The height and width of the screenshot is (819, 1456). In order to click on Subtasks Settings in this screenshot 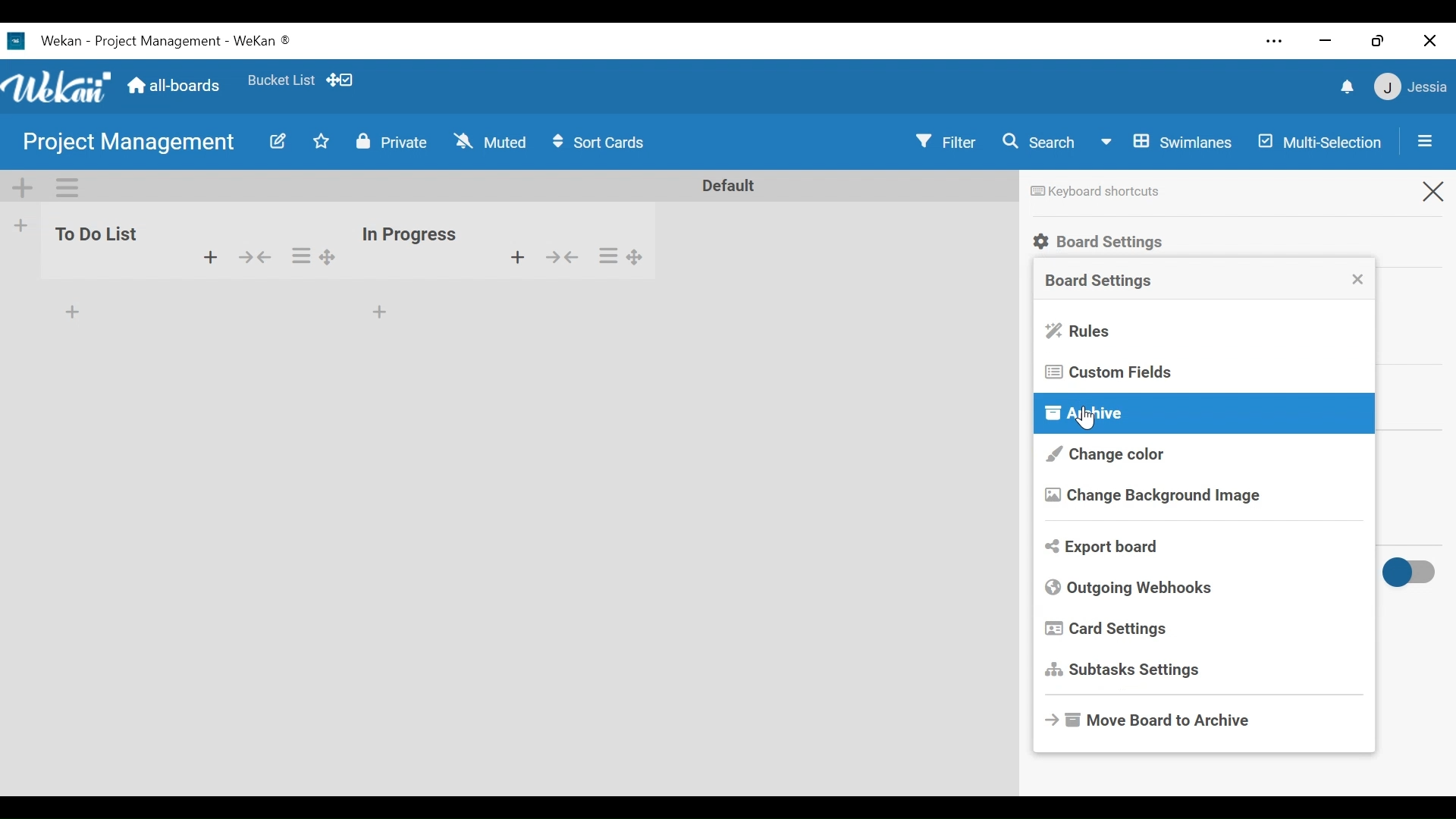, I will do `click(1122, 668)`.